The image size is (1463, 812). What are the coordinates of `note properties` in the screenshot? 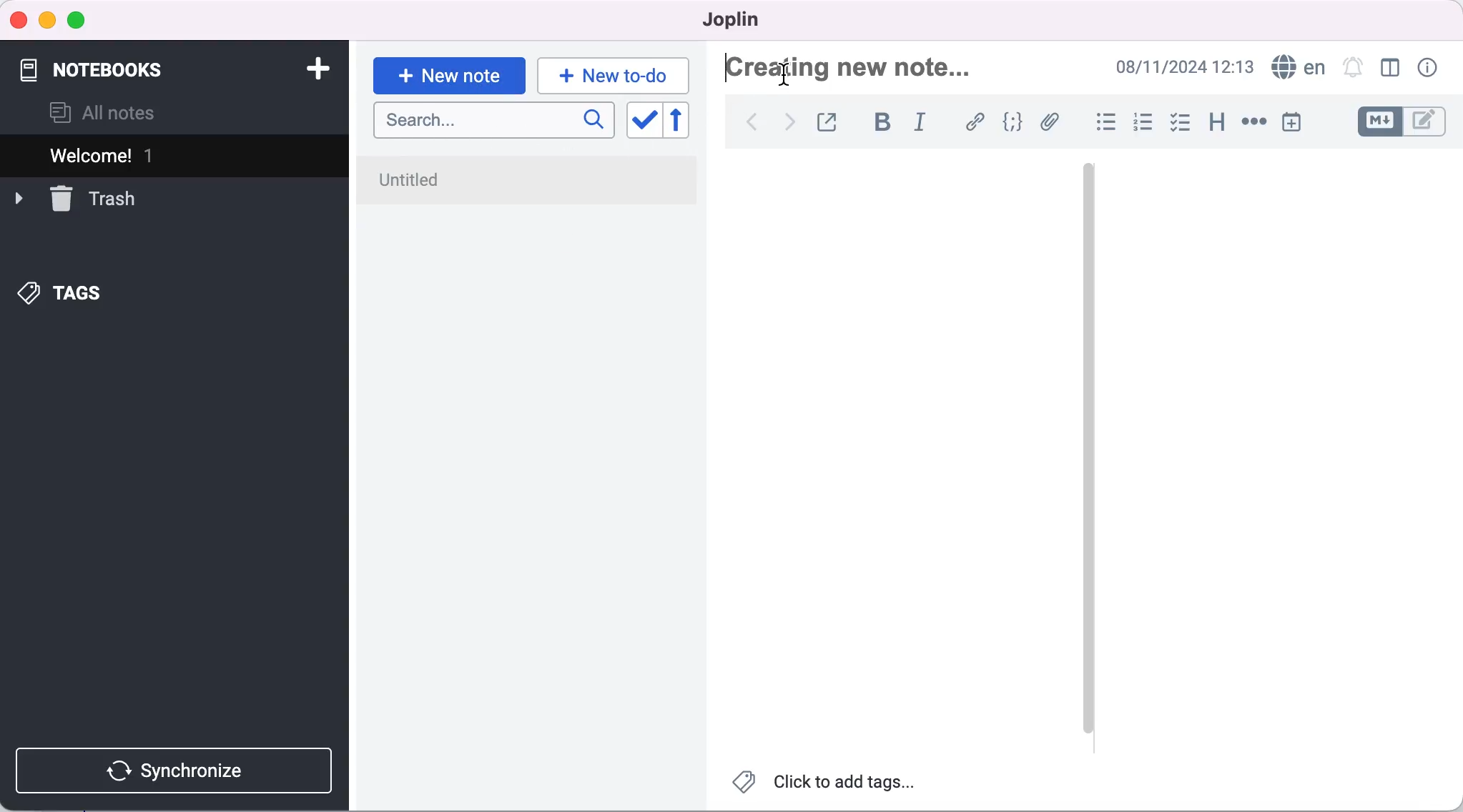 It's located at (1429, 68).